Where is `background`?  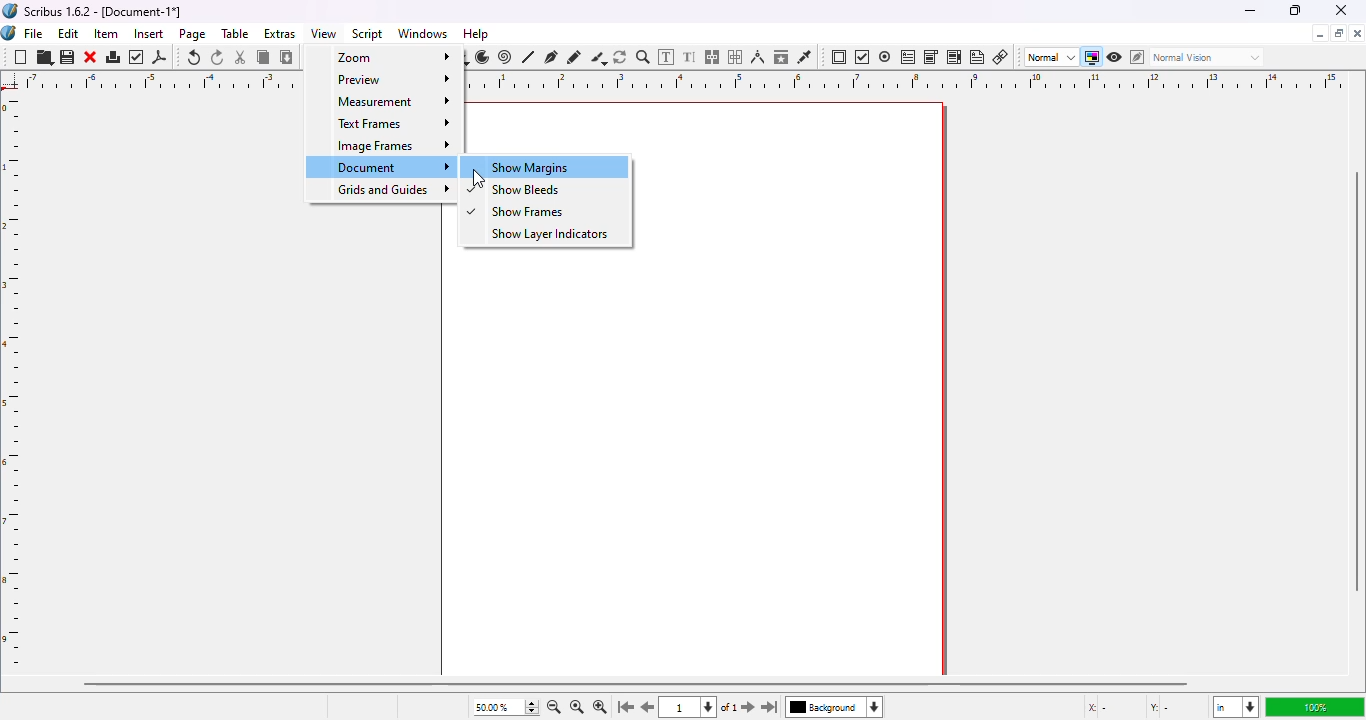
background is located at coordinates (840, 709).